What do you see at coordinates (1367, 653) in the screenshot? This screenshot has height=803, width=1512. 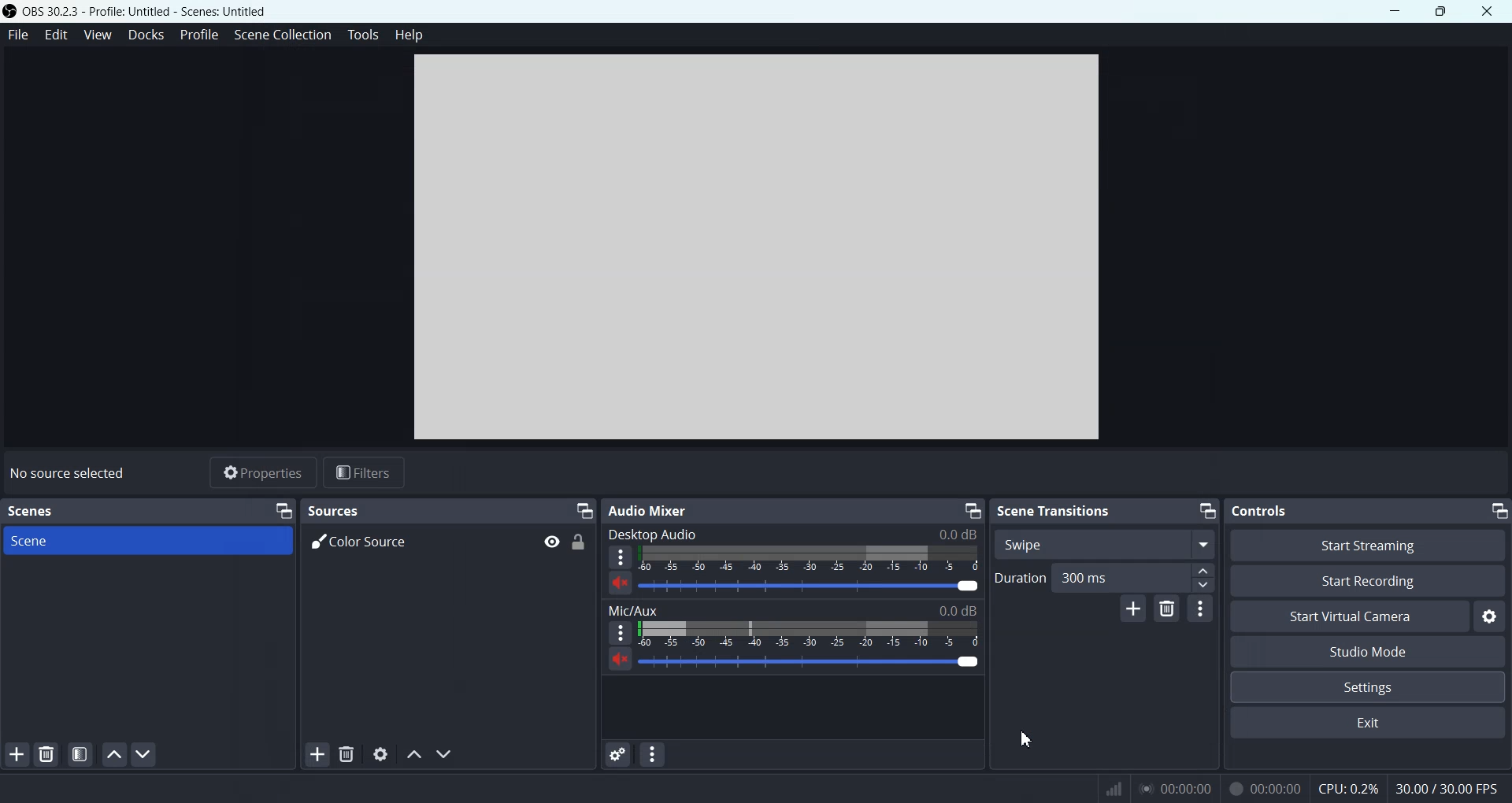 I see `Studio Mode` at bounding box center [1367, 653].